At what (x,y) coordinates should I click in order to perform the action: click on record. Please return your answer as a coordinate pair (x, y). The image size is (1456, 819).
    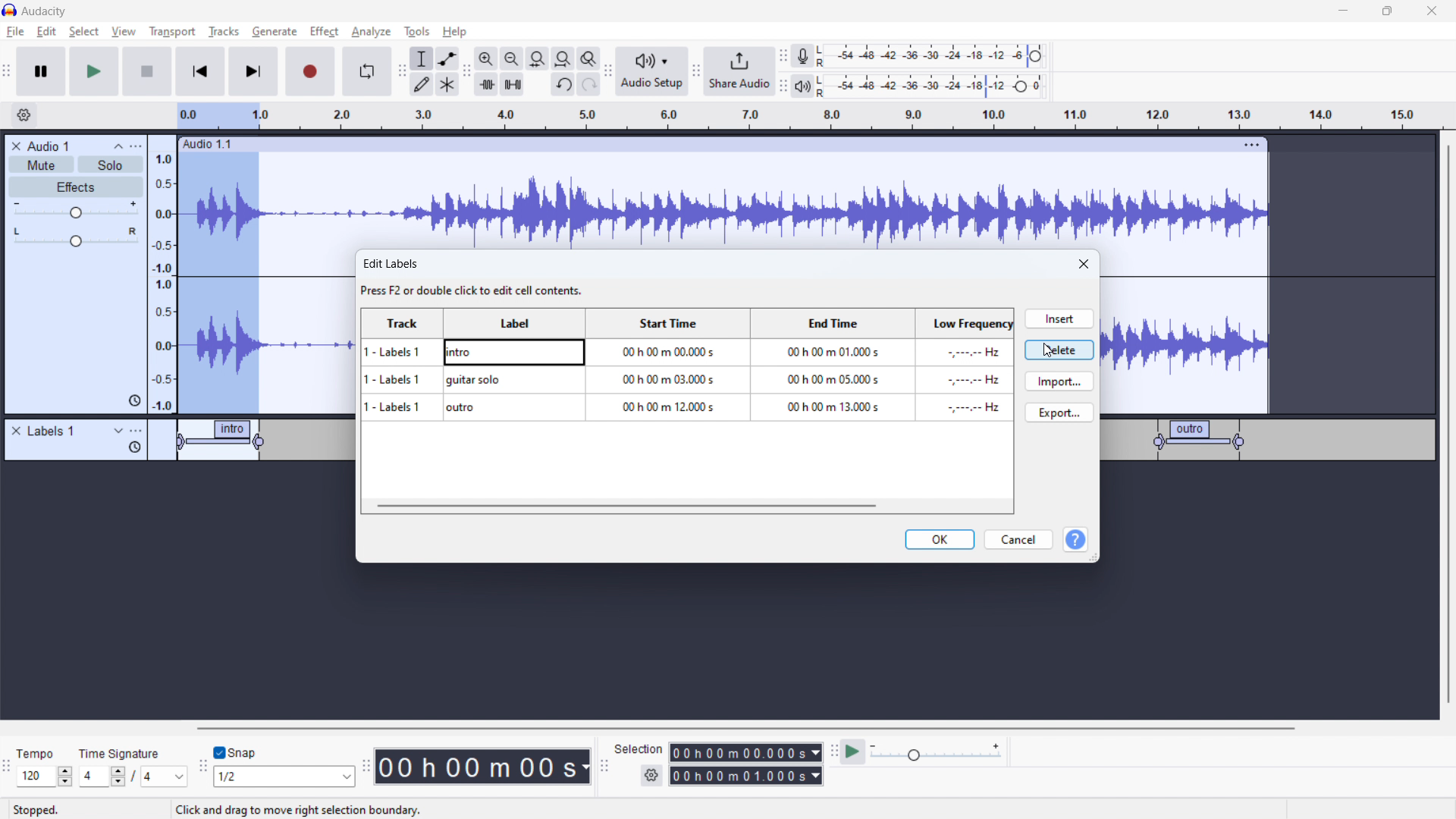
    Looking at the image, I should click on (311, 71).